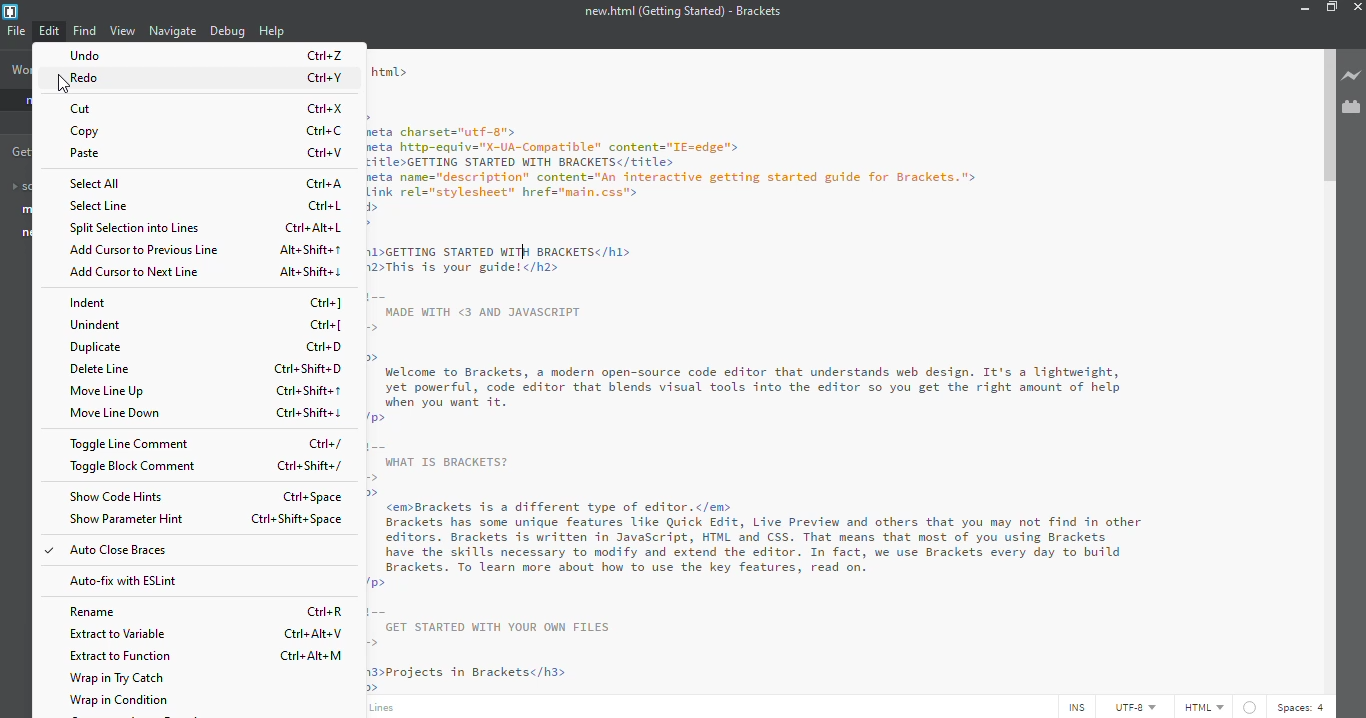 Image resolution: width=1366 pixels, height=718 pixels. What do you see at coordinates (87, 154) in the screenshot?
I see `paste` at bounding box center [87, 154].